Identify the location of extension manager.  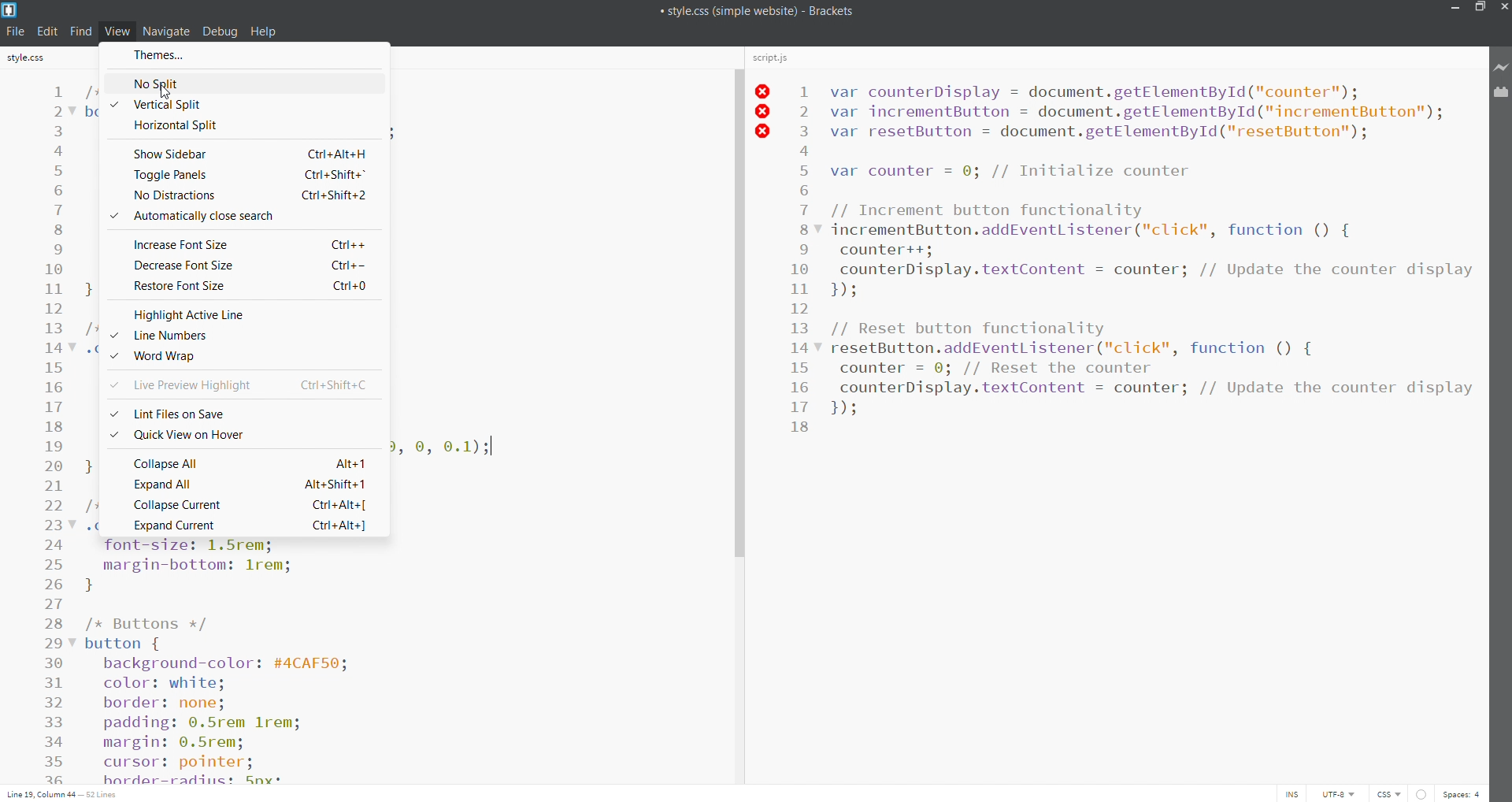
(1502, 94).